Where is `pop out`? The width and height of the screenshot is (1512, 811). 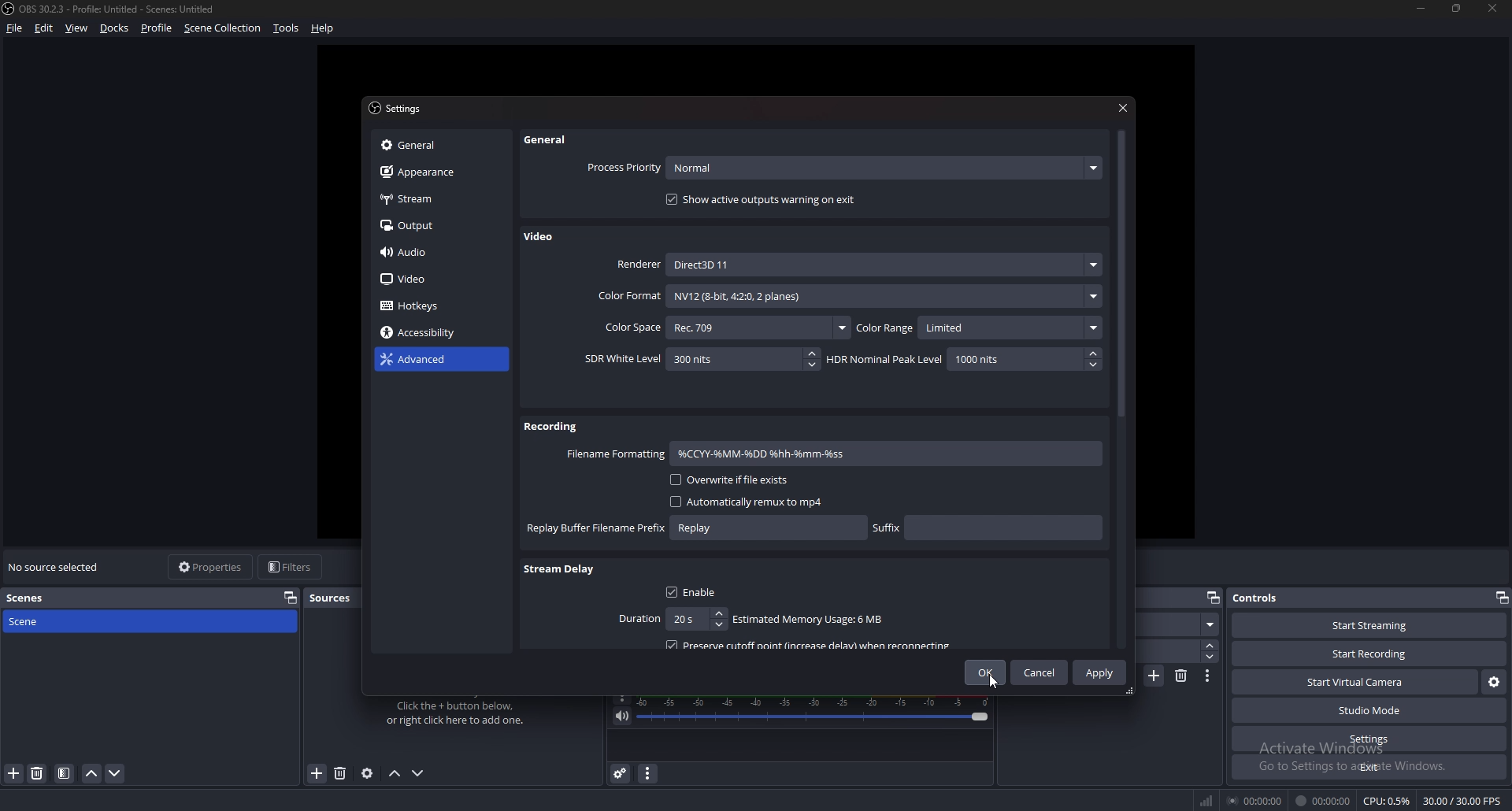
pop out is located at coordinates (291, 597).